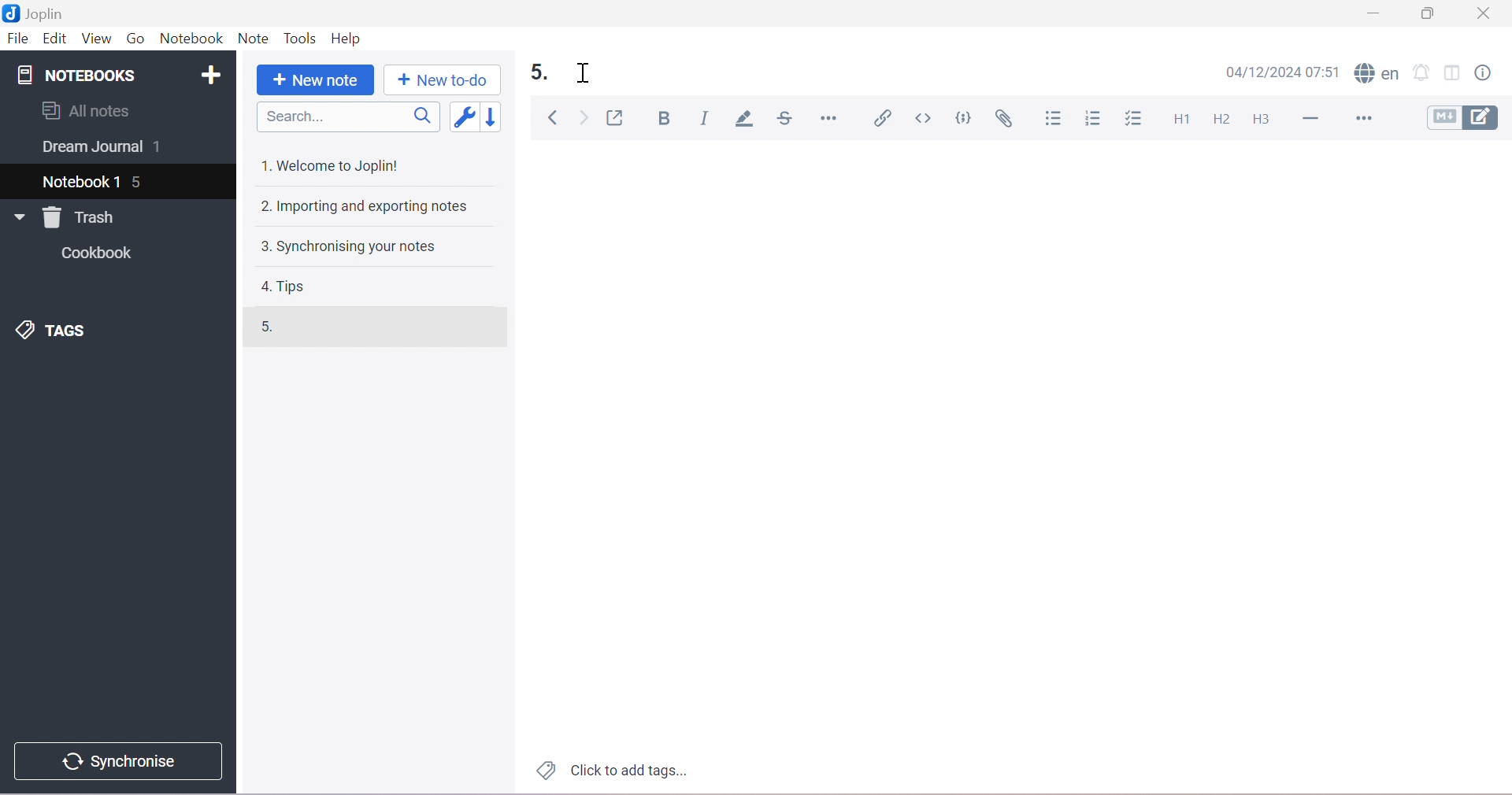  What do you see at coordinates (441, 80) in the screenshot?
I see `New to-do` at bounding box center [441, 80].